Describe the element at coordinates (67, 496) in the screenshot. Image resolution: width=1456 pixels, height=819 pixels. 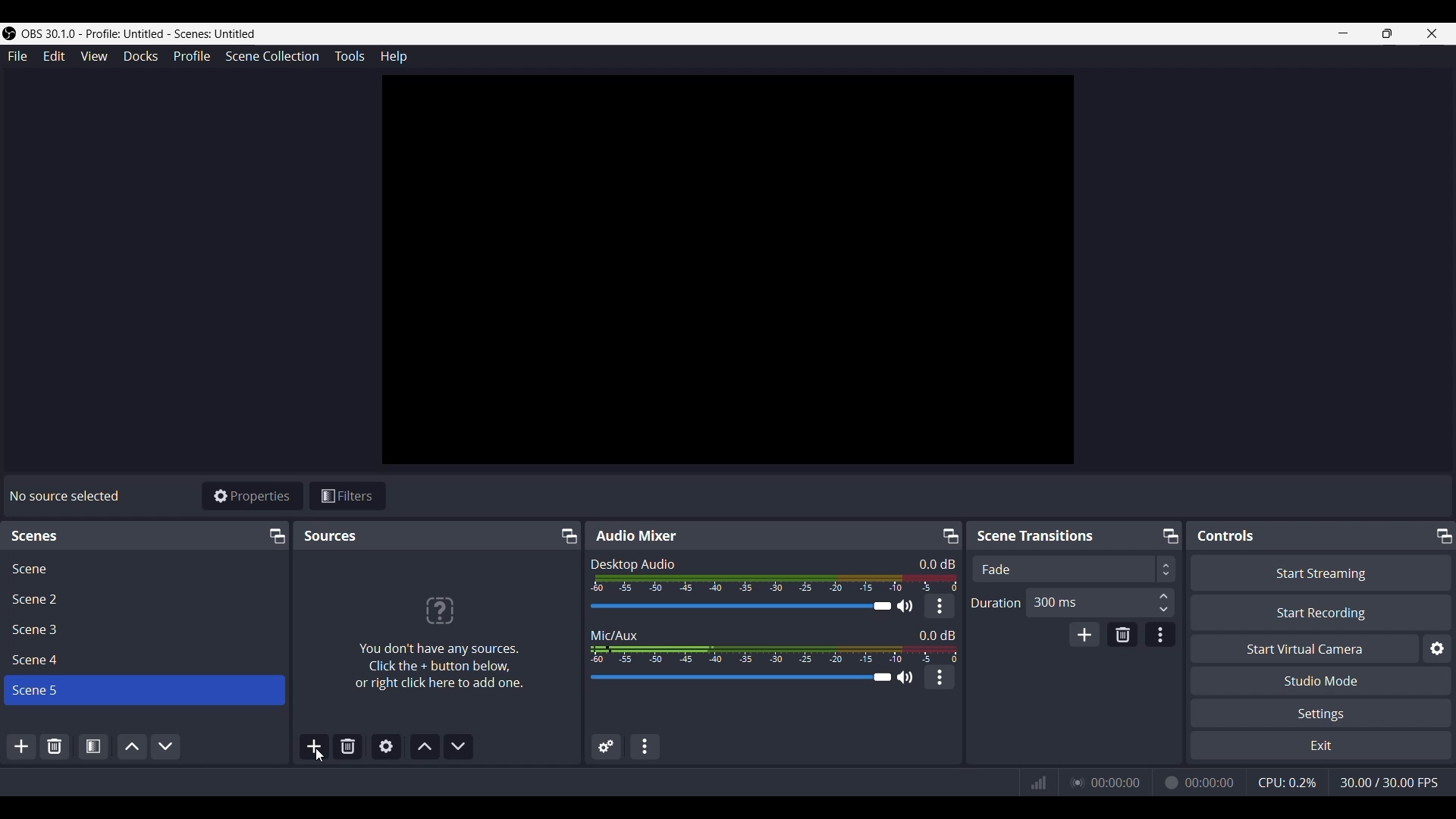
I see `Text` at that location.